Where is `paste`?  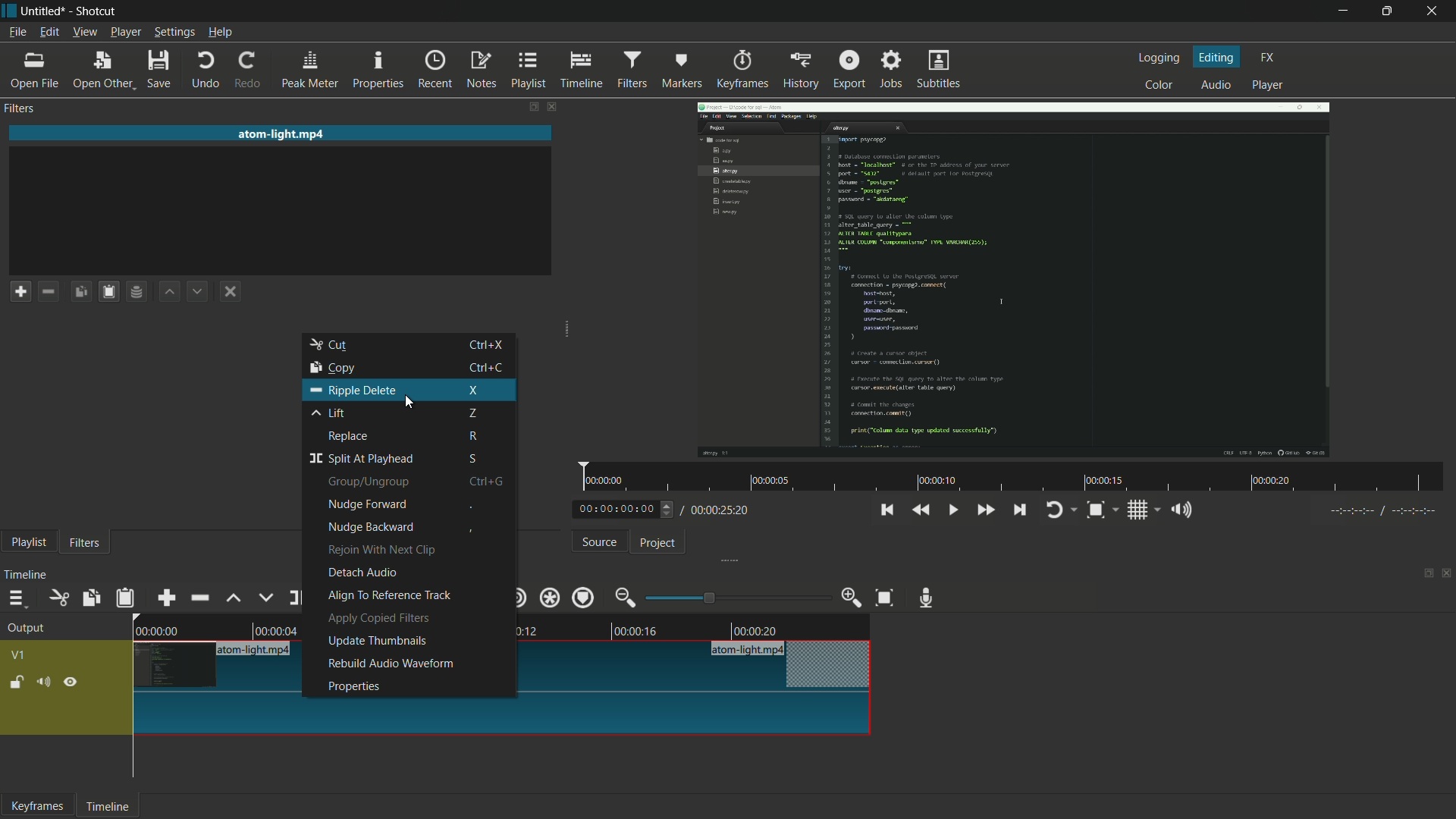
paste is located at coordinates (124, 598).